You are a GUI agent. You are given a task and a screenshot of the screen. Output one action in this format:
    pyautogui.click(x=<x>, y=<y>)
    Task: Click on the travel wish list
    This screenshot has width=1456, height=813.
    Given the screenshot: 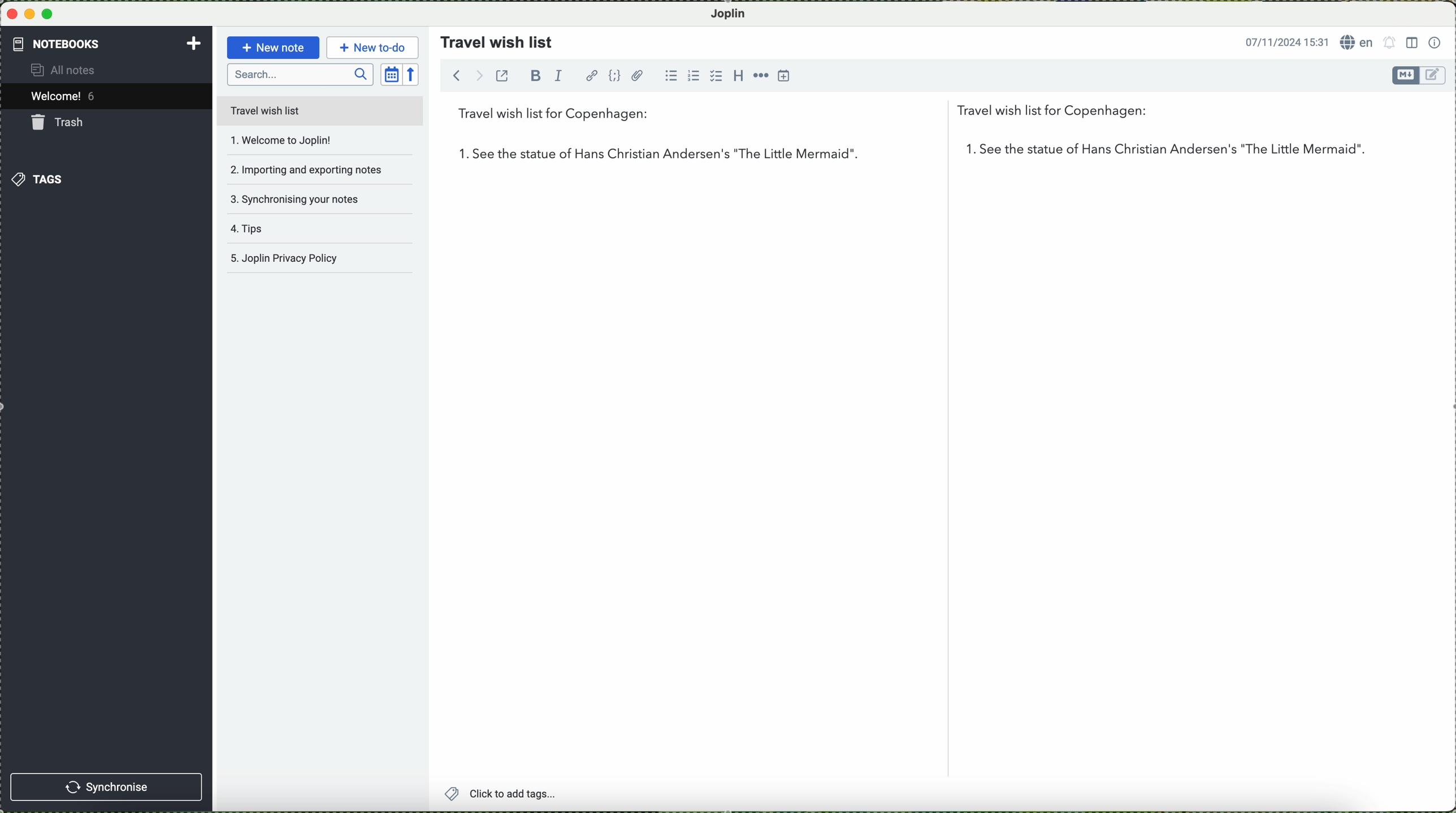 What is the action you would take?
    pyautogui.click(x=492, y=38)
    